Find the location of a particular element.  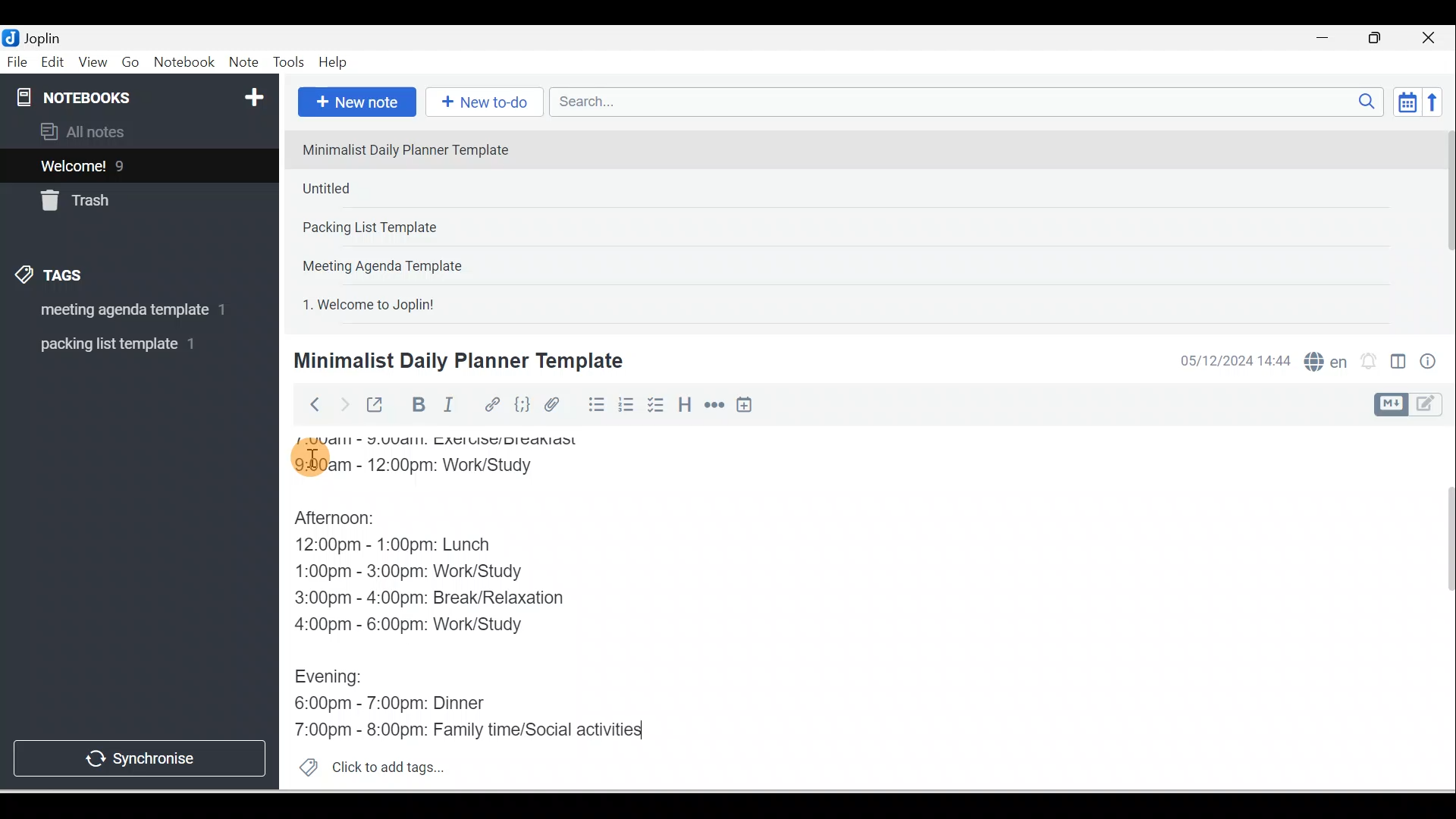

Toggle sort order is located at coordinates (1407, 101).